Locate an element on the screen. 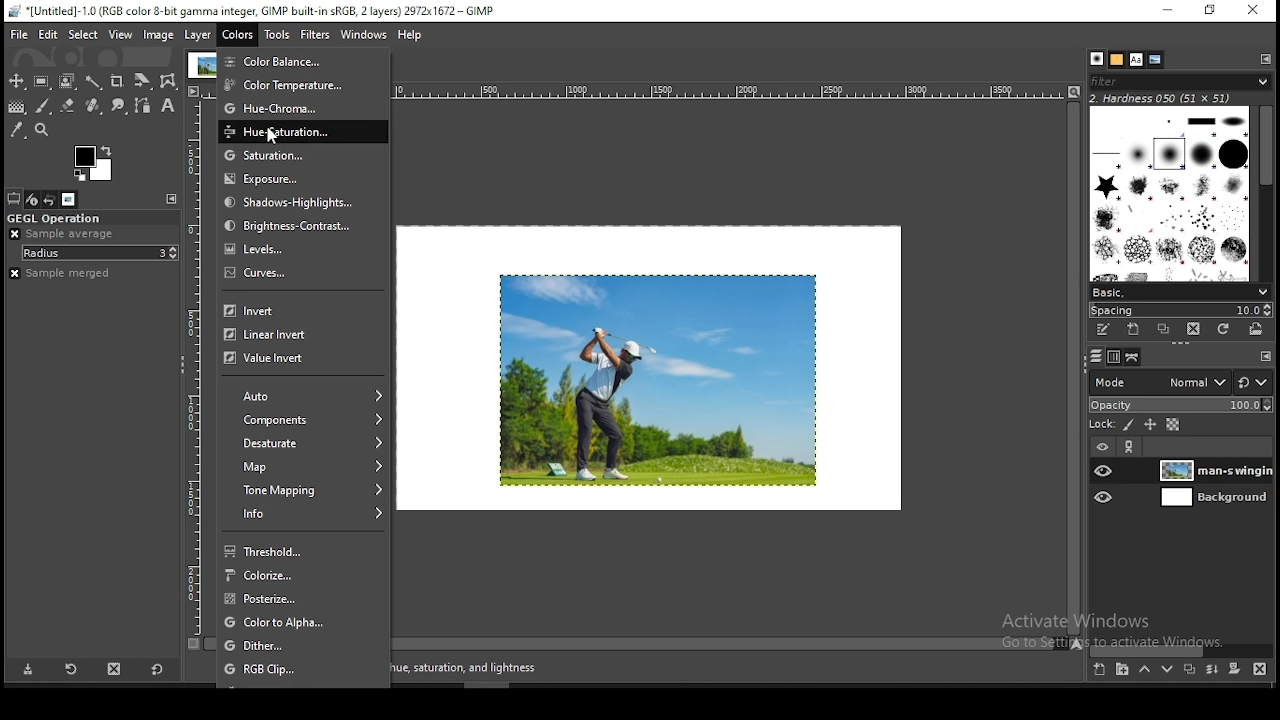 This screenshot has height=720, width=1280. gradient tool is located at coordinates (16, 105).